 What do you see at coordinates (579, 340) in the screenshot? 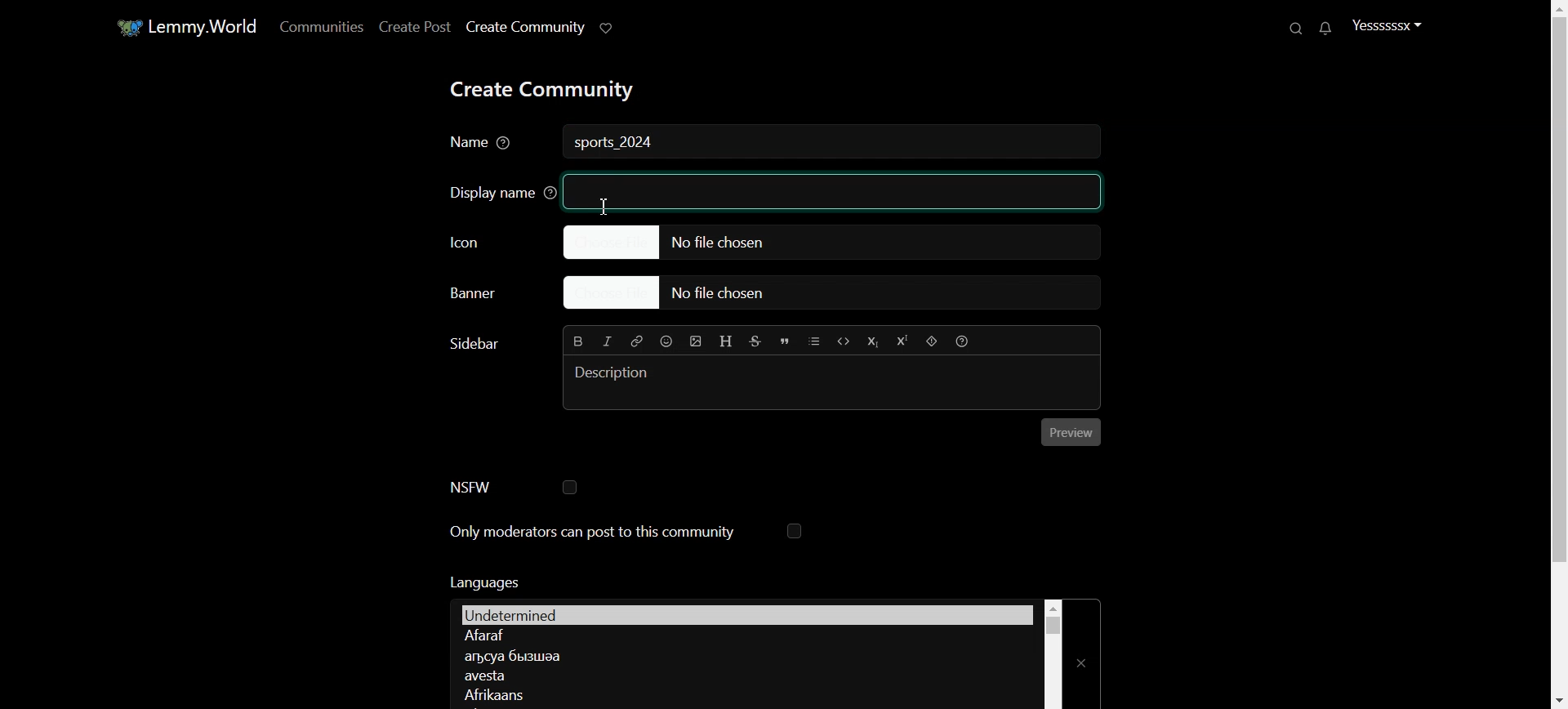
I see `Bold` at bounding box center [579, 340].